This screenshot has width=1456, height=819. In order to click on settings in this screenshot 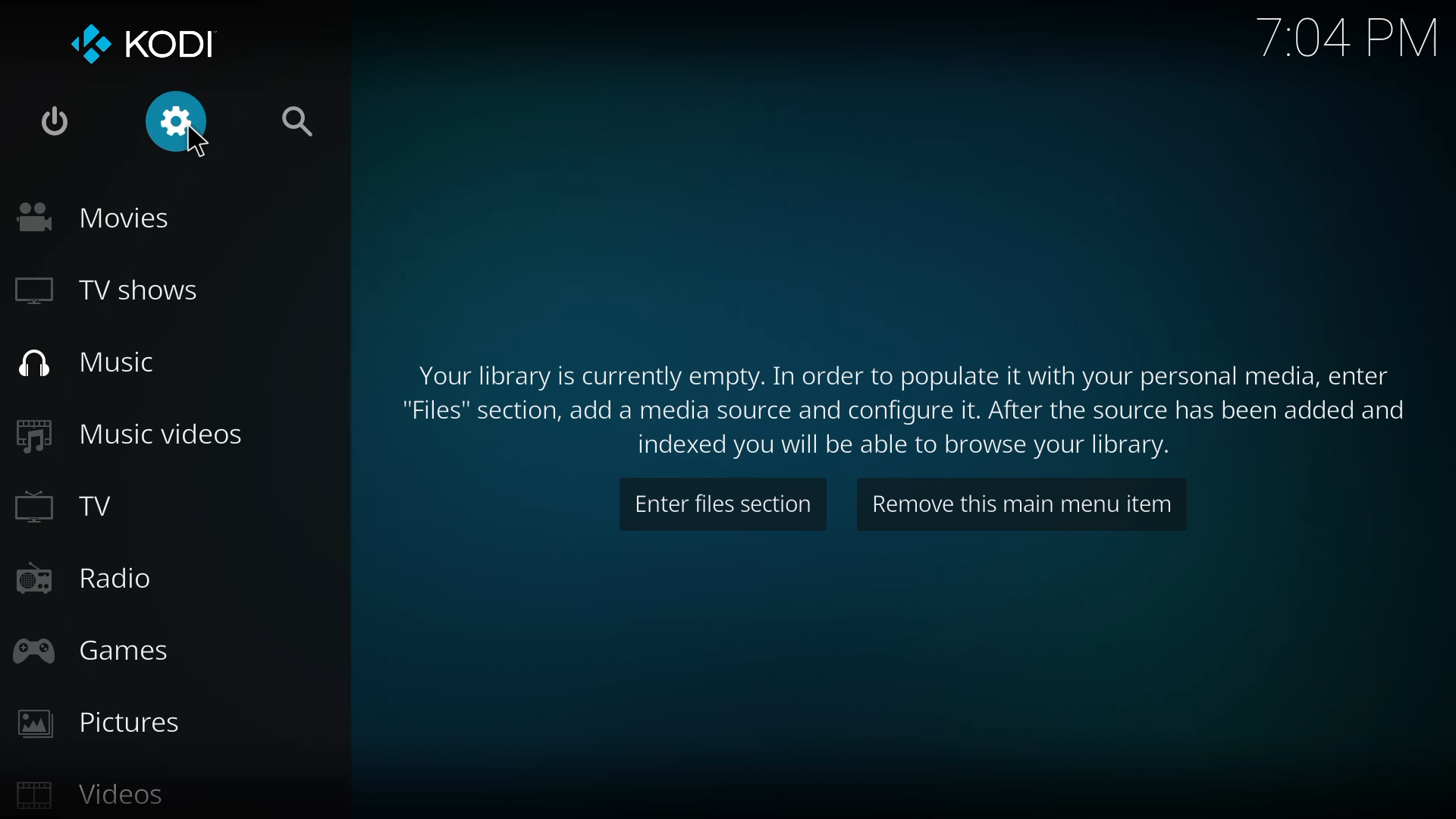, I will do `click(175, 123)`.